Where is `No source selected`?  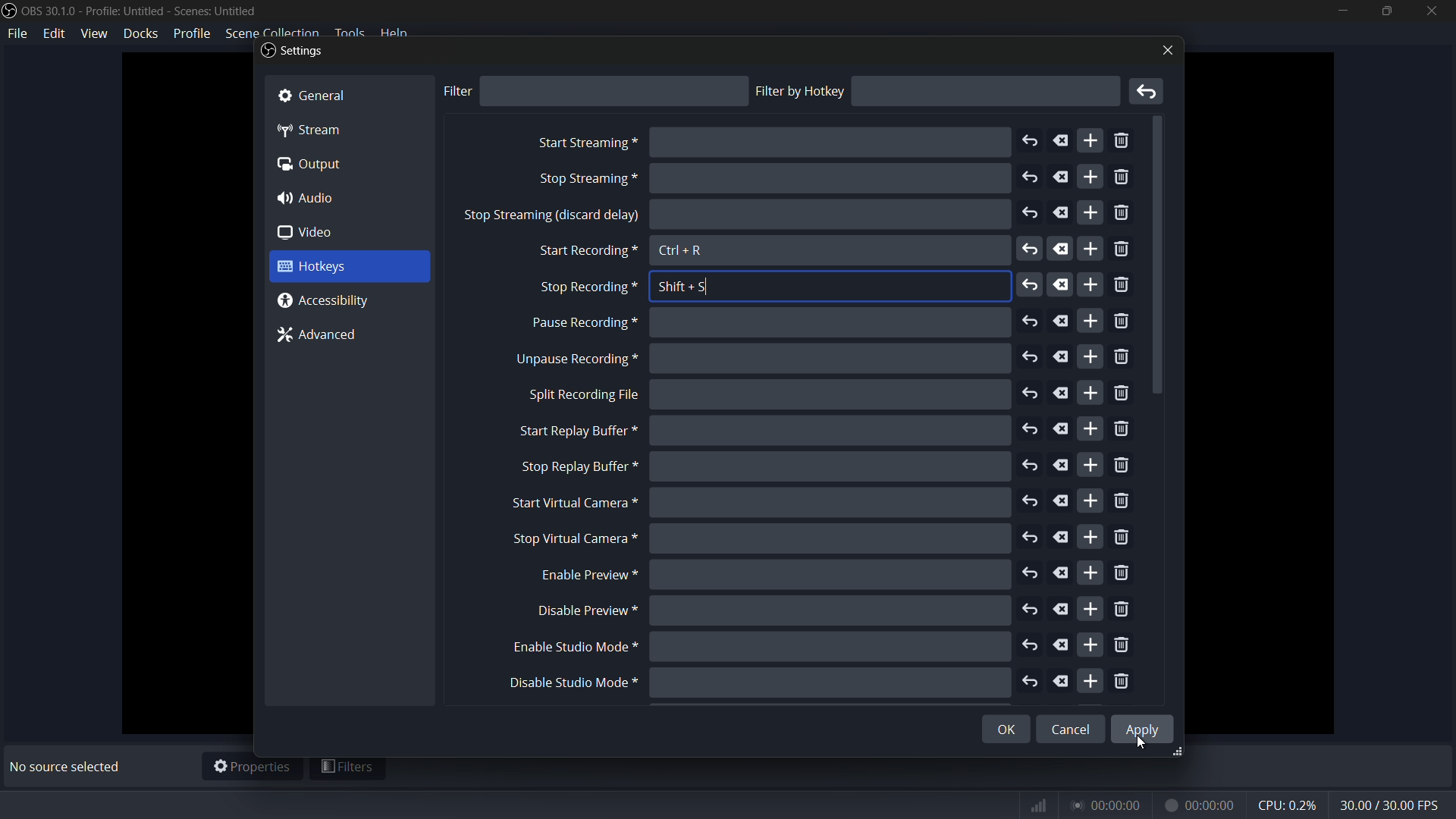
No source selected is located at coordinates (69, 767).